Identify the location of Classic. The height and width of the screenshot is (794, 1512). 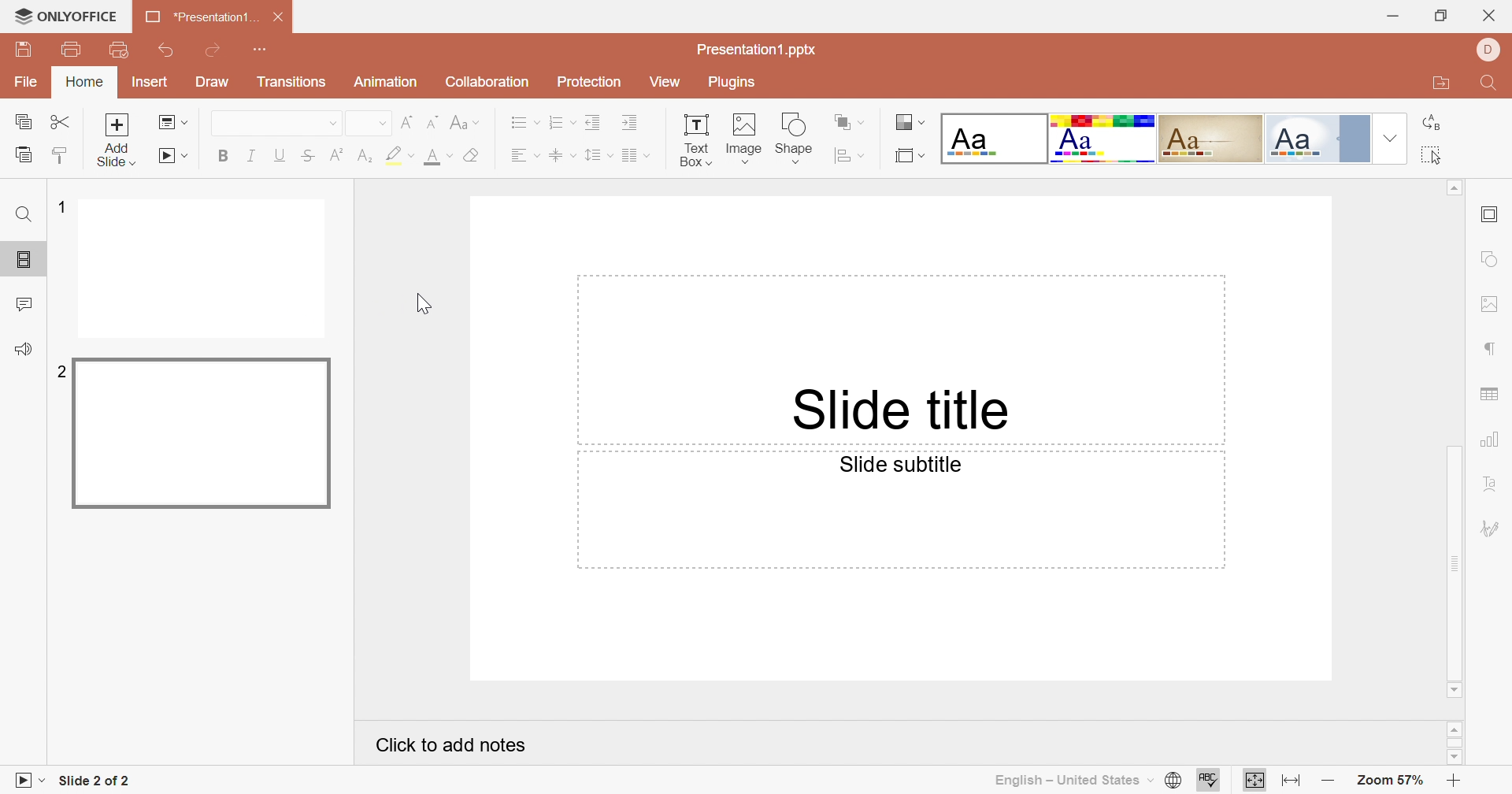
(1212, 139).